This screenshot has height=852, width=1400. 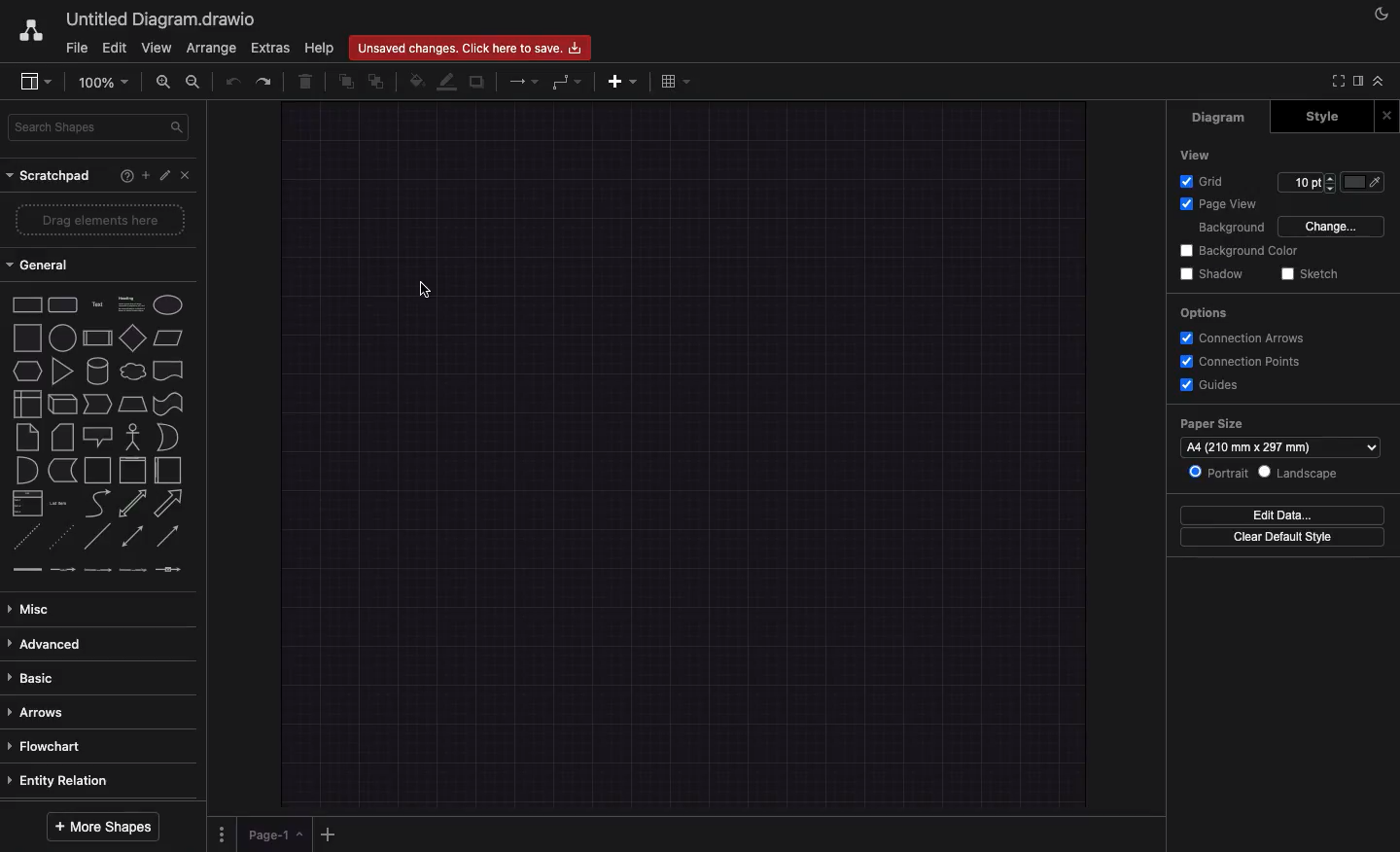 What do you see at coordinates (470, 49) in the screenshot?
I see `Unsaved` at bounding box center [470, 49].